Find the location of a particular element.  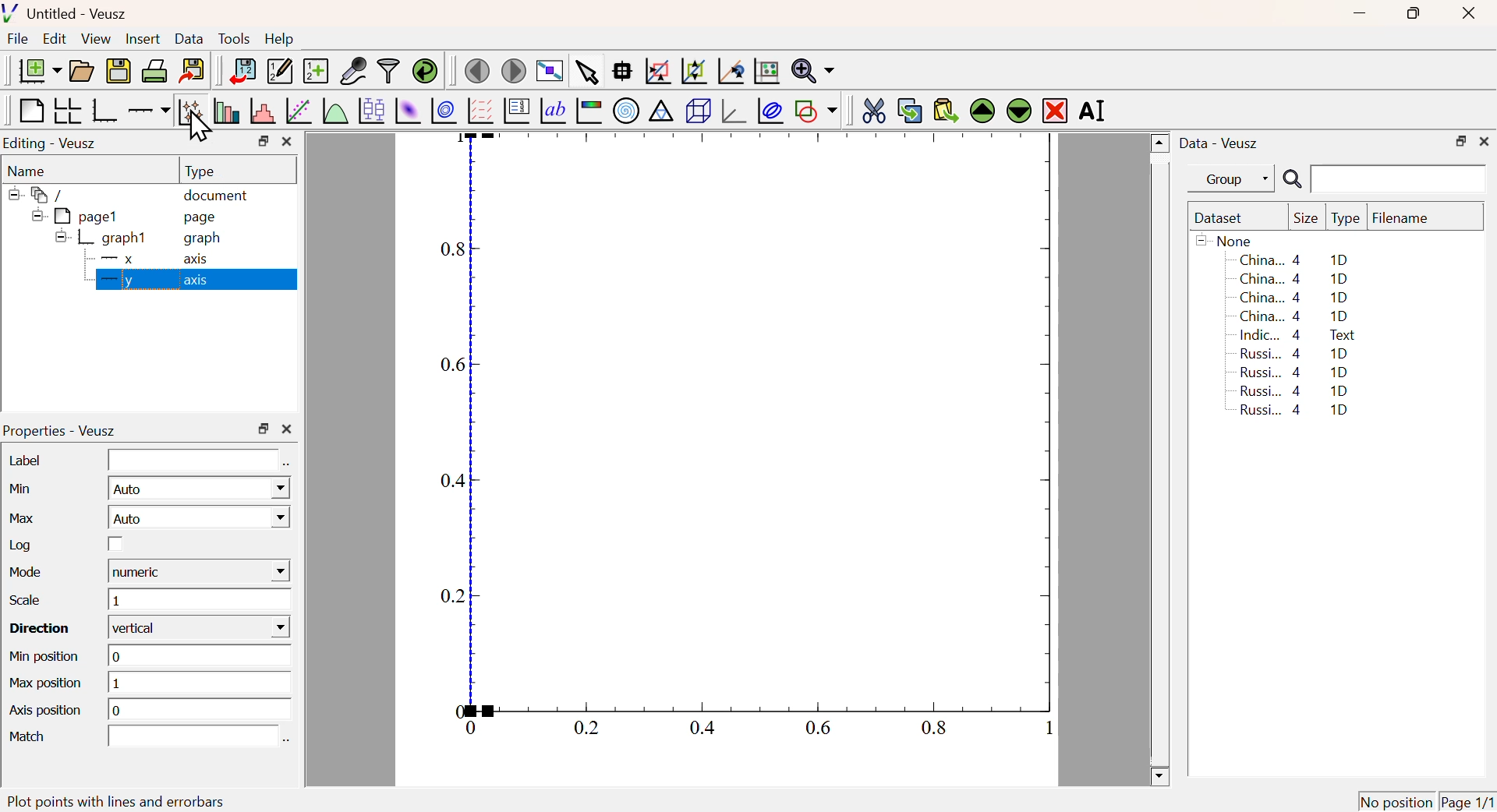

View is located at coordinates (95, 40).